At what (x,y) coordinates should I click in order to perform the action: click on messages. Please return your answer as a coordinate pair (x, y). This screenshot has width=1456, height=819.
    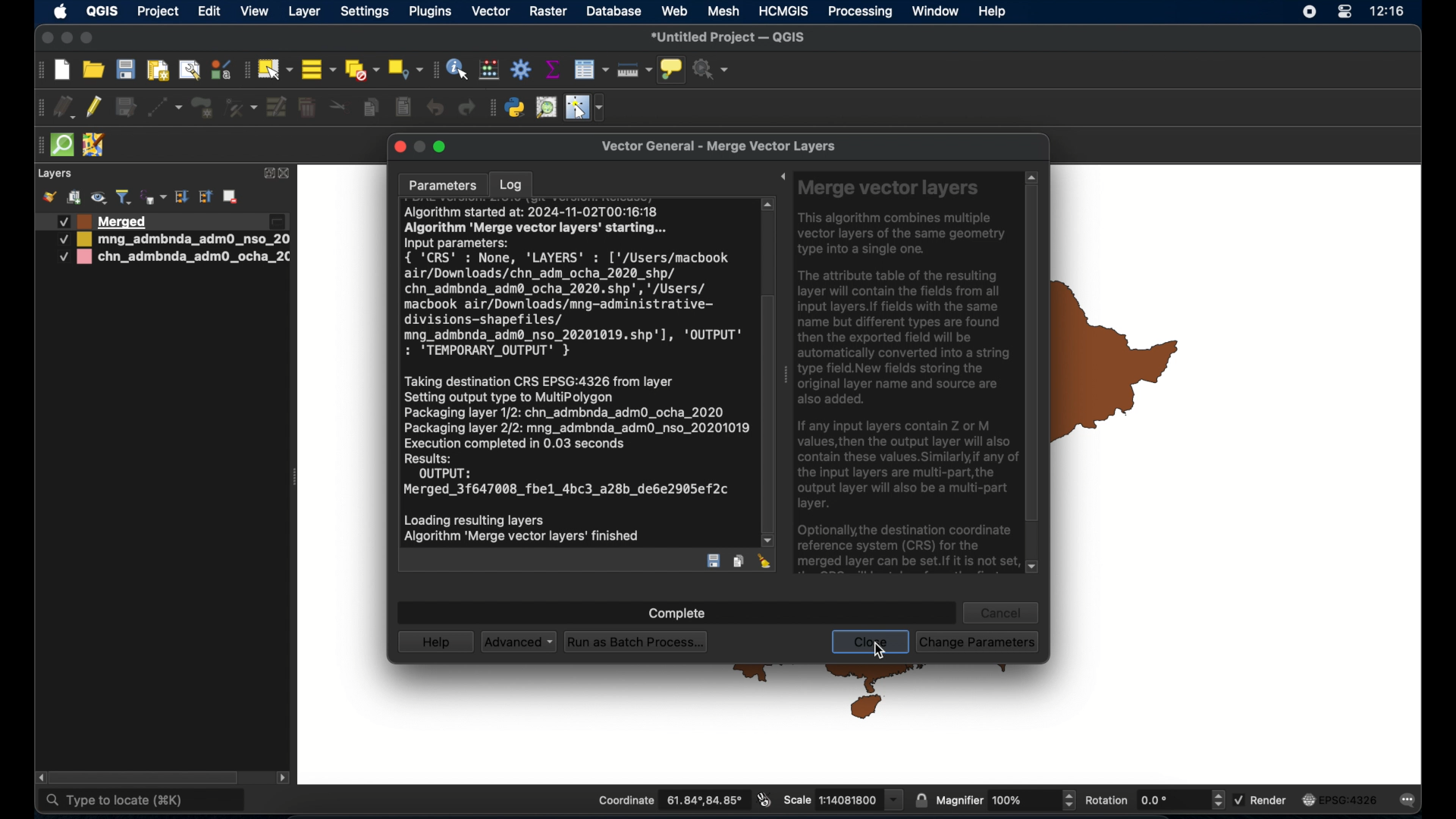
    Looking at the image, I should click on (1410, 802).